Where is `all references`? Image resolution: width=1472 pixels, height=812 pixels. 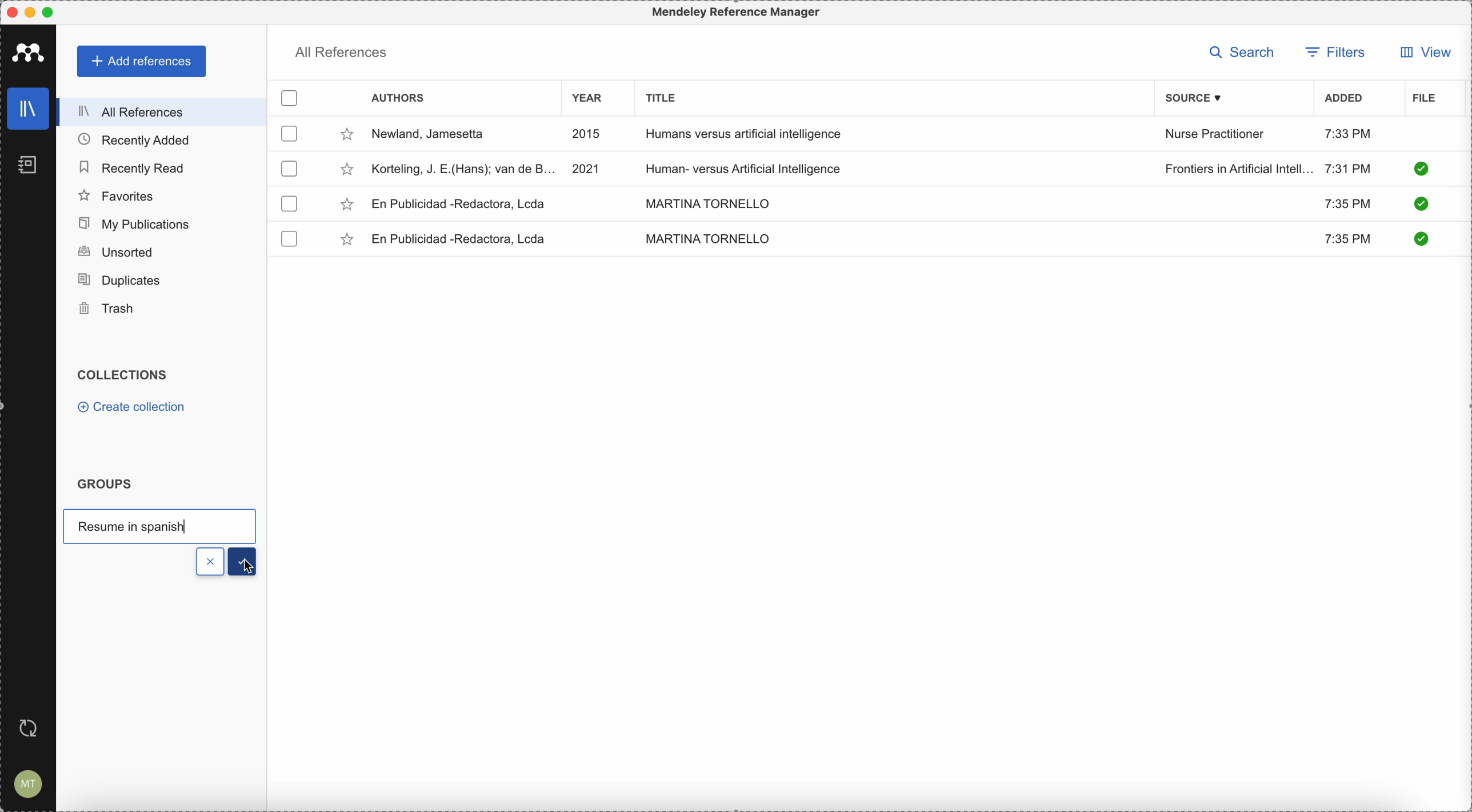 all references is located at coordinates (158, 112).